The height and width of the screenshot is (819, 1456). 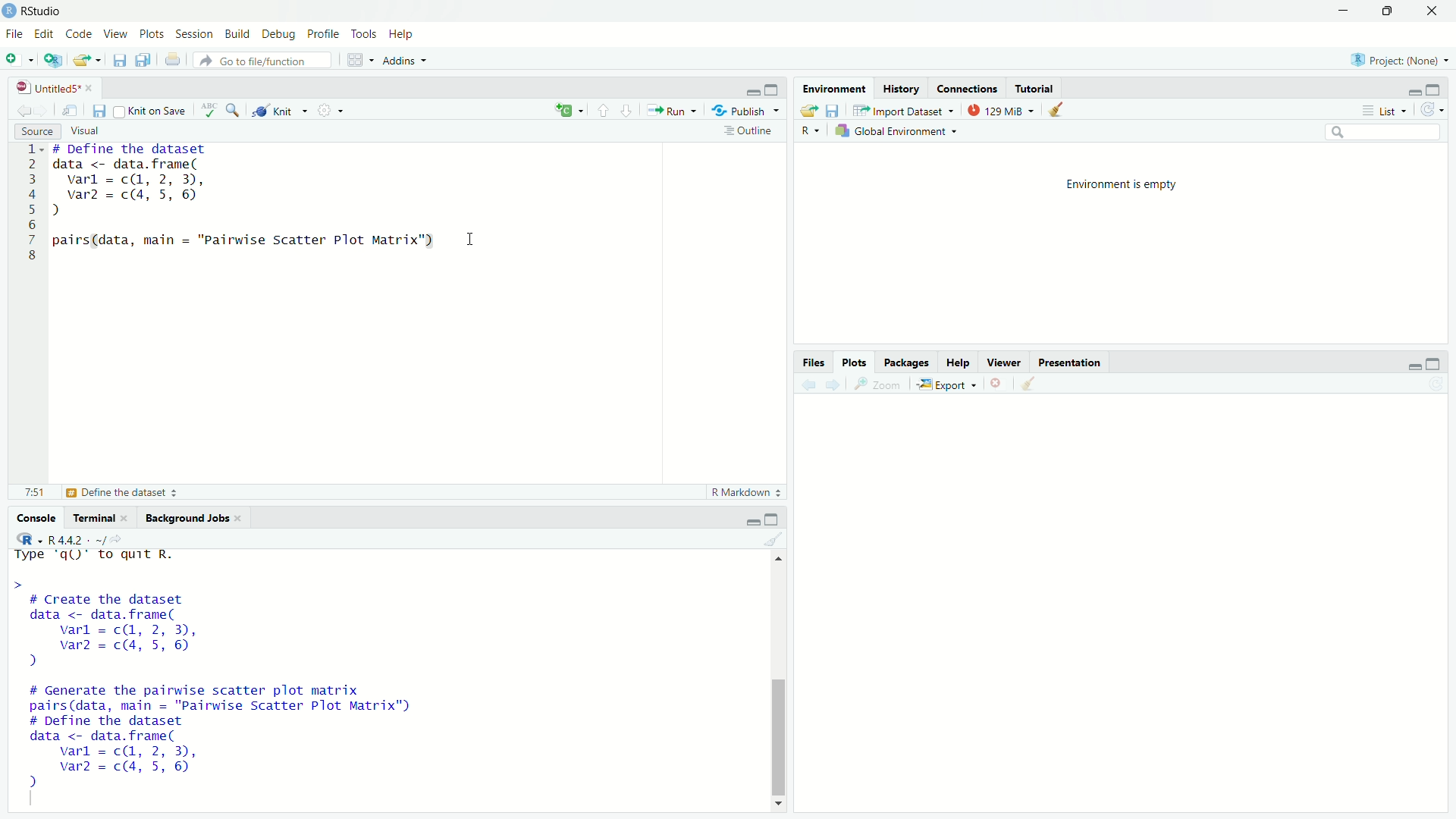 I want to click on Addins, so click(x=407, y=59).